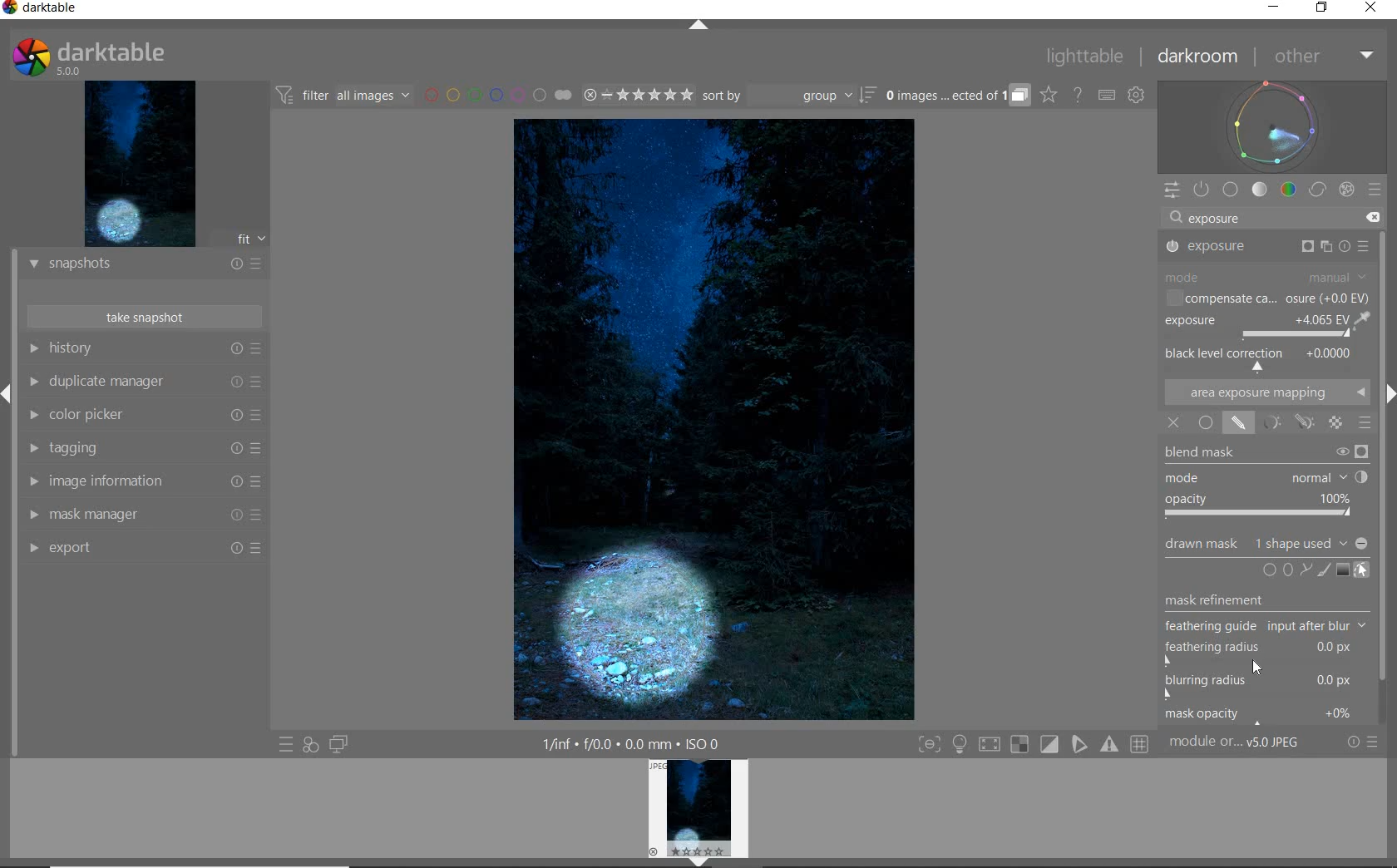 This screenshot has height=868, width=1397. What do you see at coordinates (1319, 189) in the screenshot?
I see `CORRECT` at bounding box center [1319, 189].